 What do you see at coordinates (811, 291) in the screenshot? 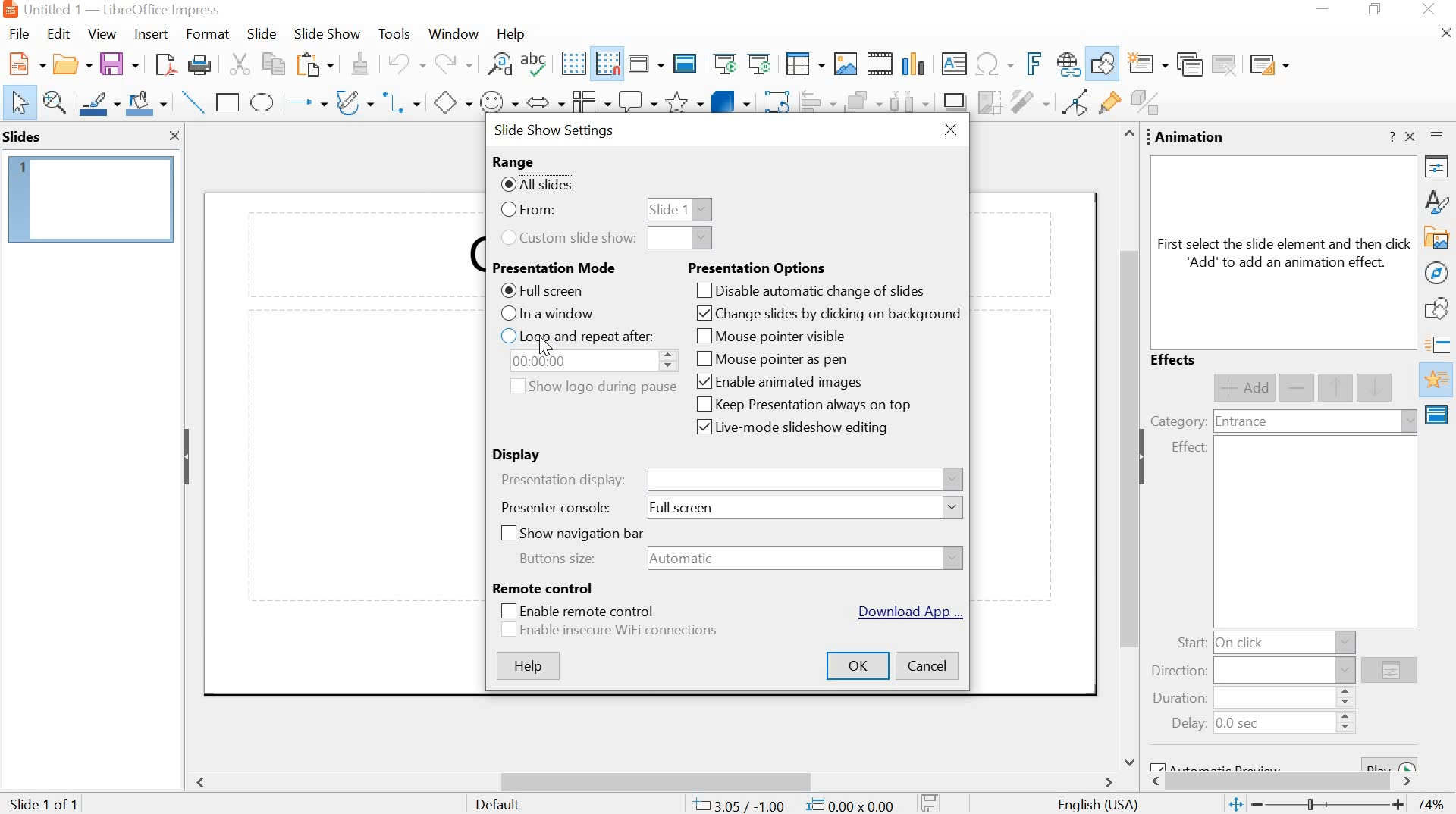
I see `disable automatic change of slides` at bounding box center [811, 291].